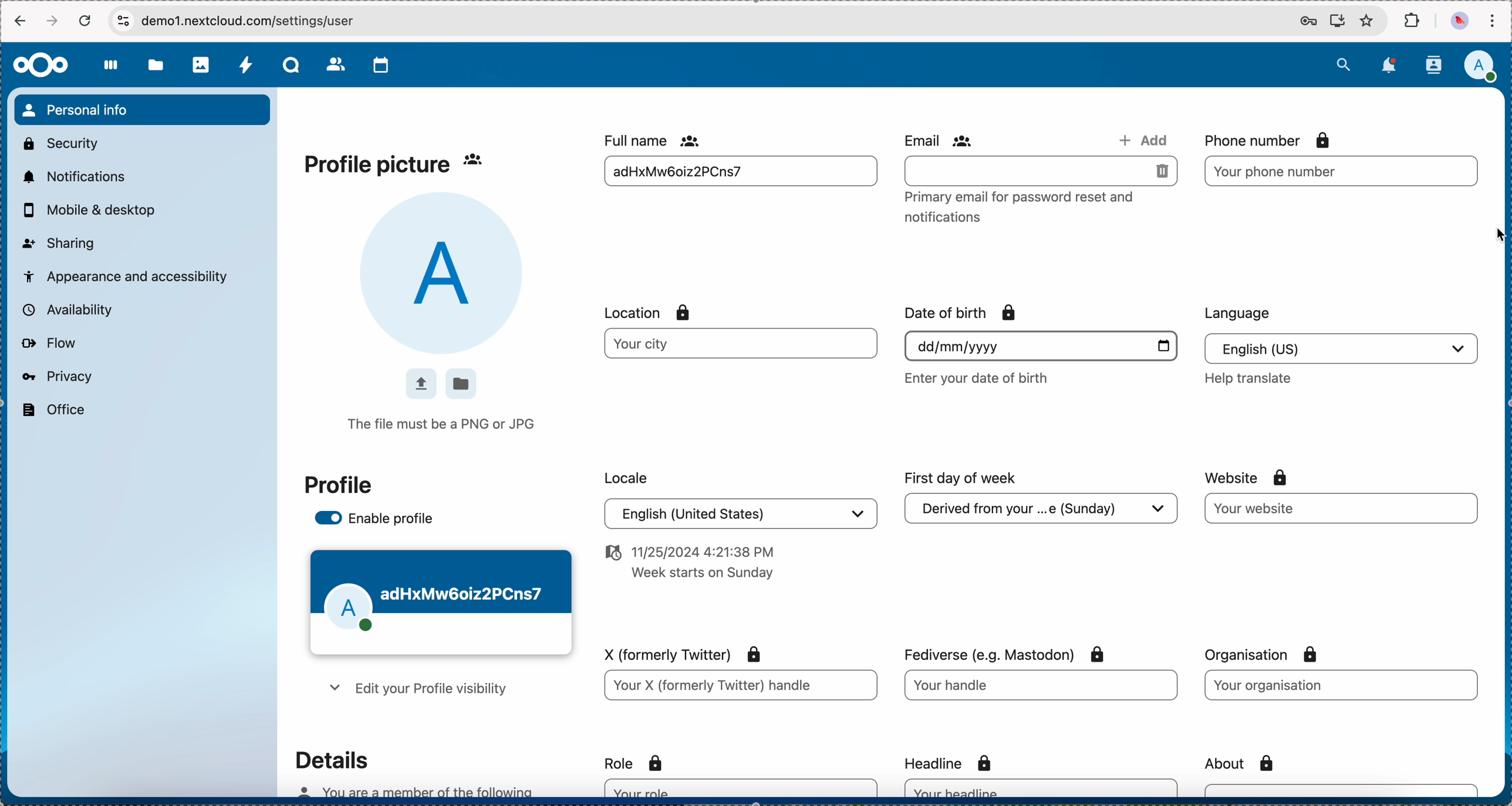 This screenshot has height=806, width=1512. What do you see at coordinates (123, 20) in the screenshot?
I see `controls` at bounding box center [123, 20].